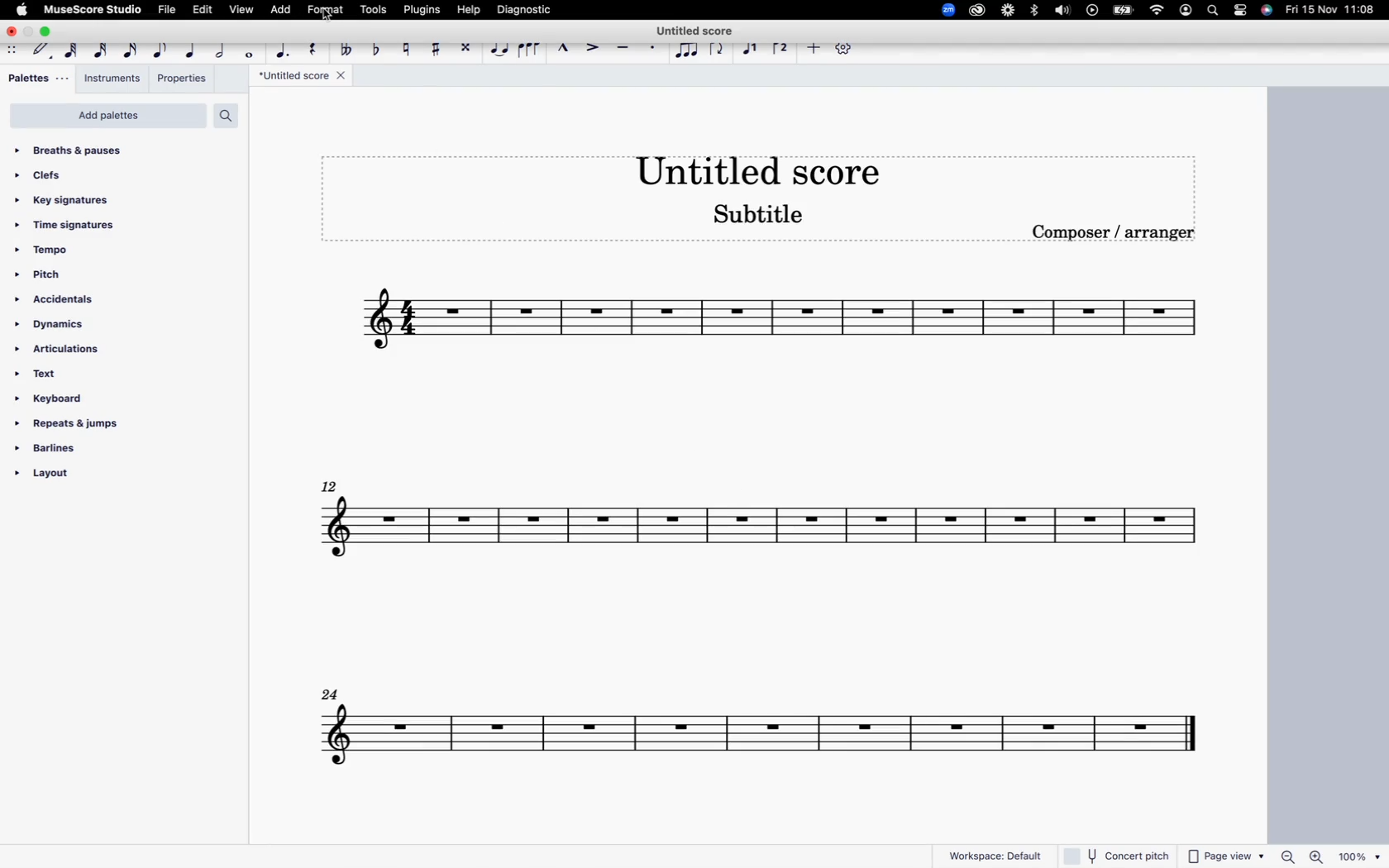 This screenshot has height=868, width=1389. Describe the element at coordinates (49, 448) in the screenshot. I see `barlines` at that location.